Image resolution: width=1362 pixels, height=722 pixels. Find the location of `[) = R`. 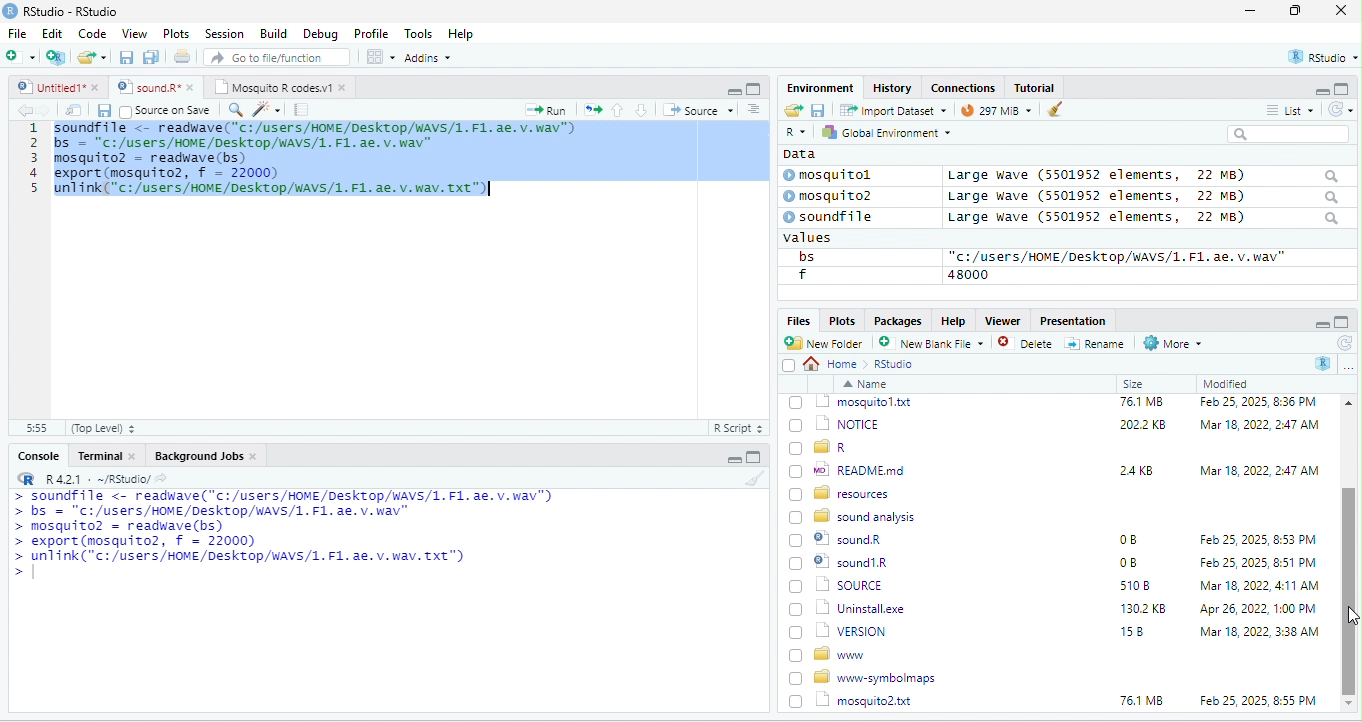

[) = R is located at coordinates (830, 567).